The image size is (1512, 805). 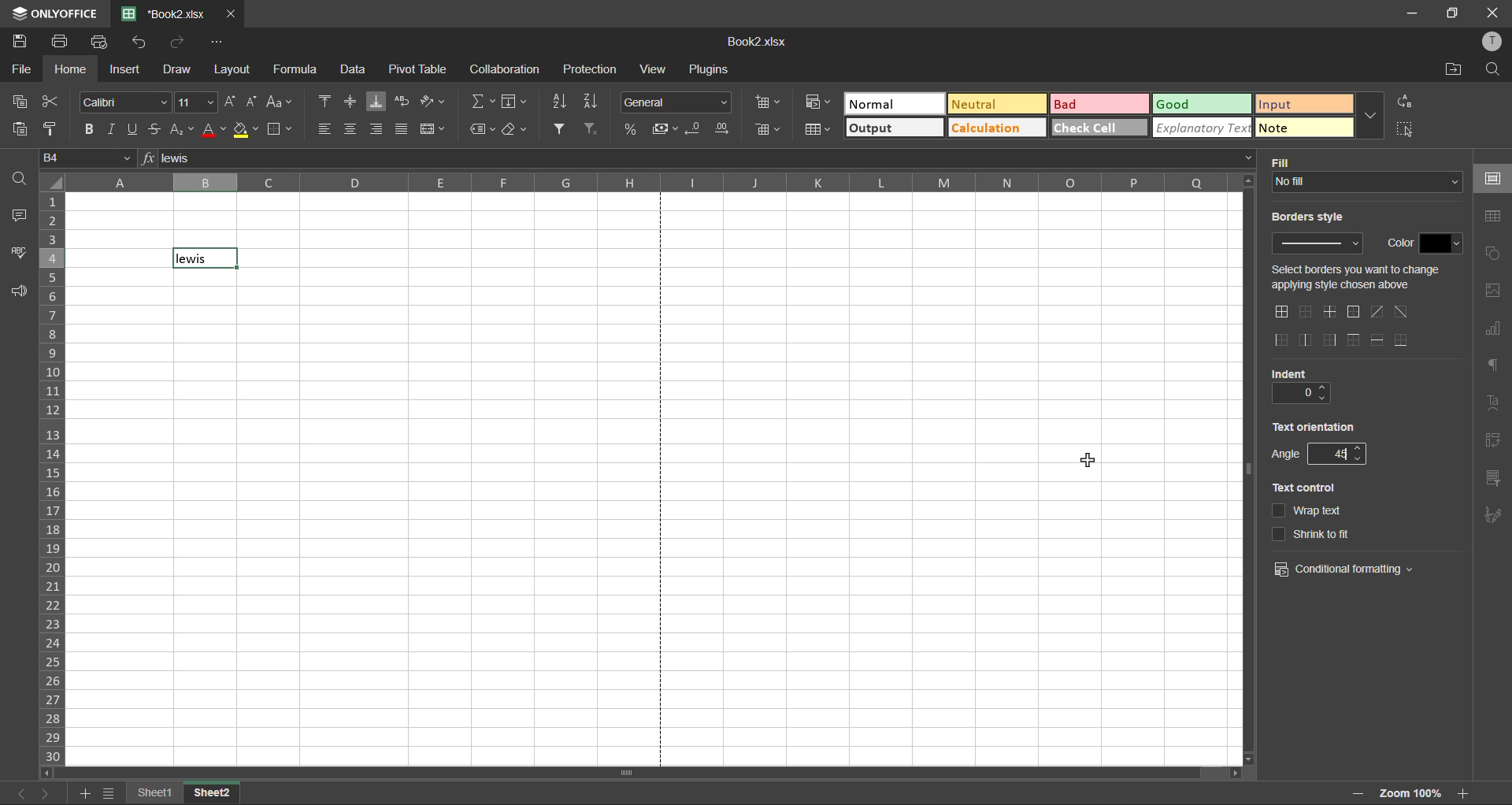 What do you see at coordinates (893, 129) in the screenshot?
I see `output` at bounding box center [893, 129].